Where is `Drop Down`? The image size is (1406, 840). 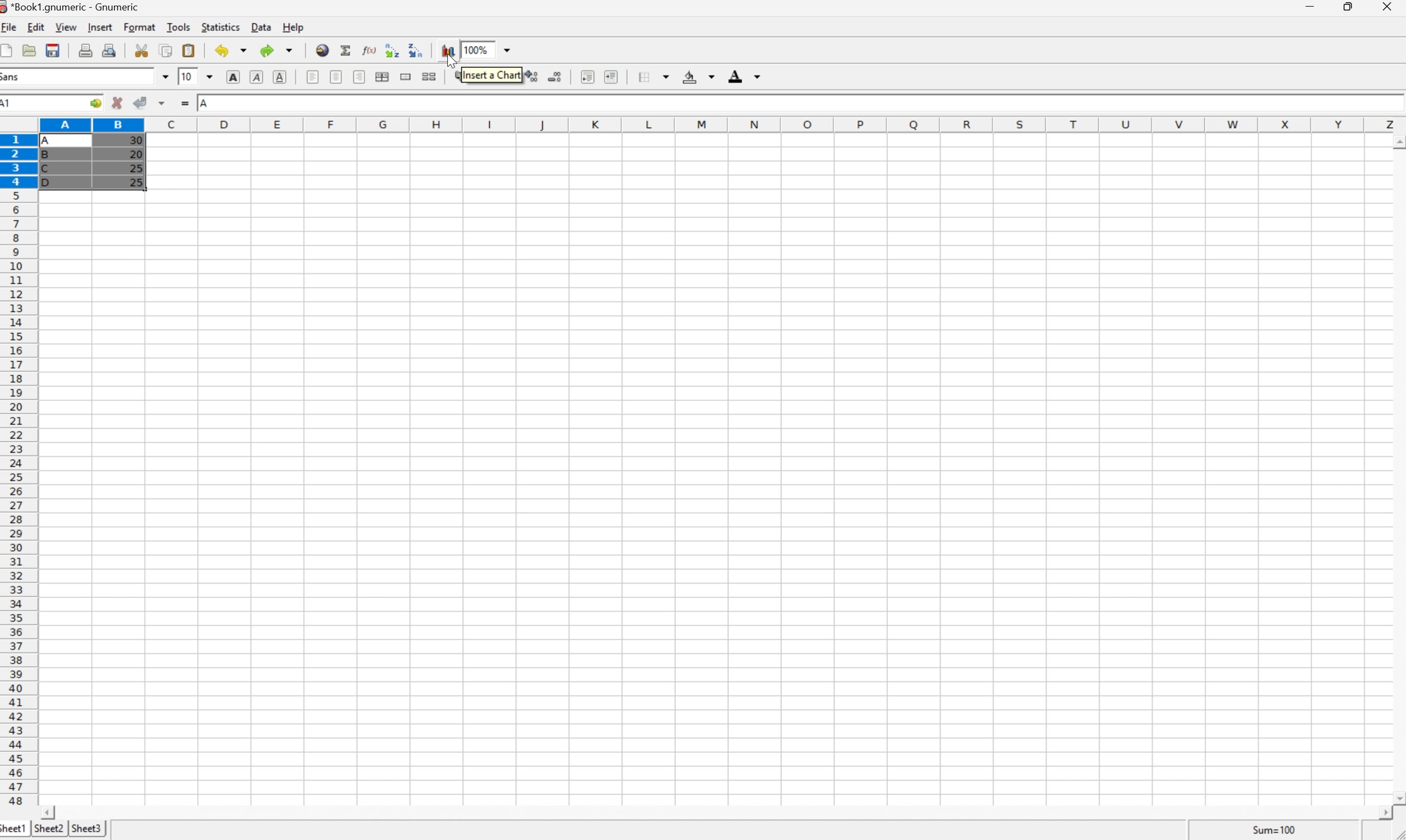 Drop Down is located at coordinates (210, 76).